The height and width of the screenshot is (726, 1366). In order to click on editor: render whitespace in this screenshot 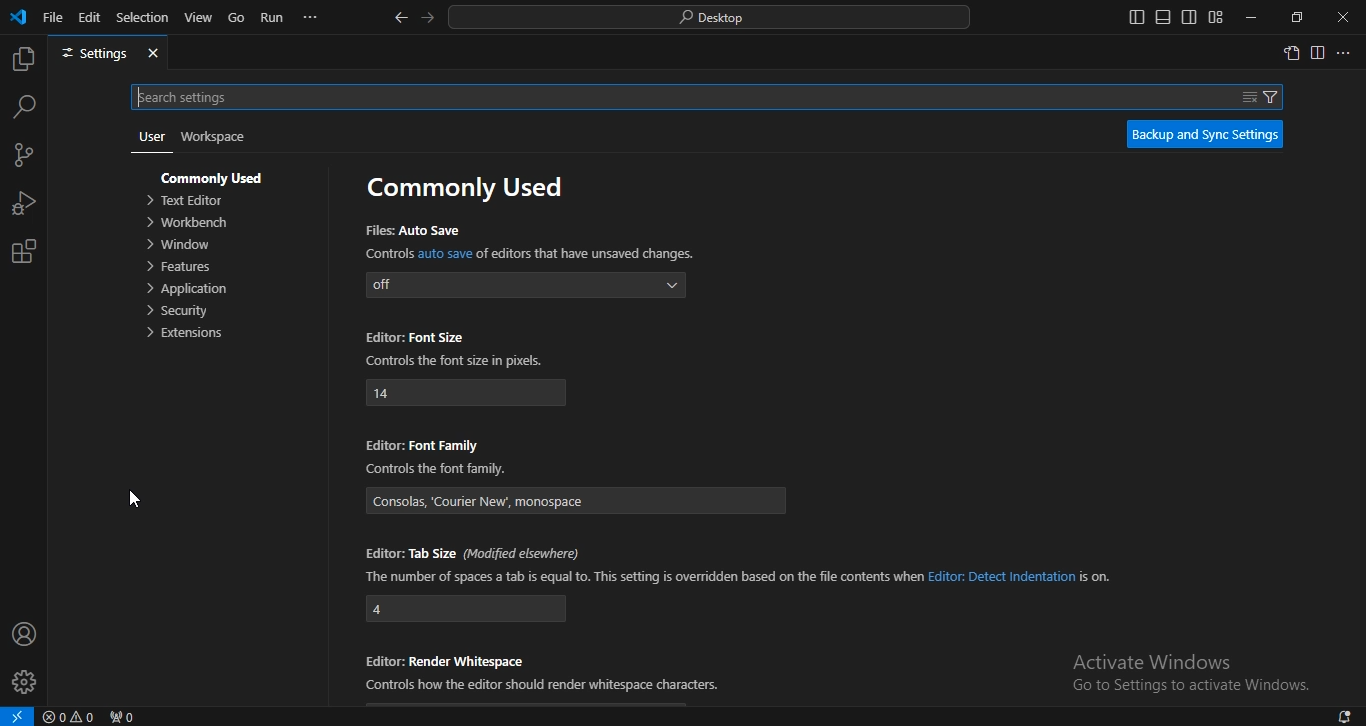, I will do `click(542, 687)`.